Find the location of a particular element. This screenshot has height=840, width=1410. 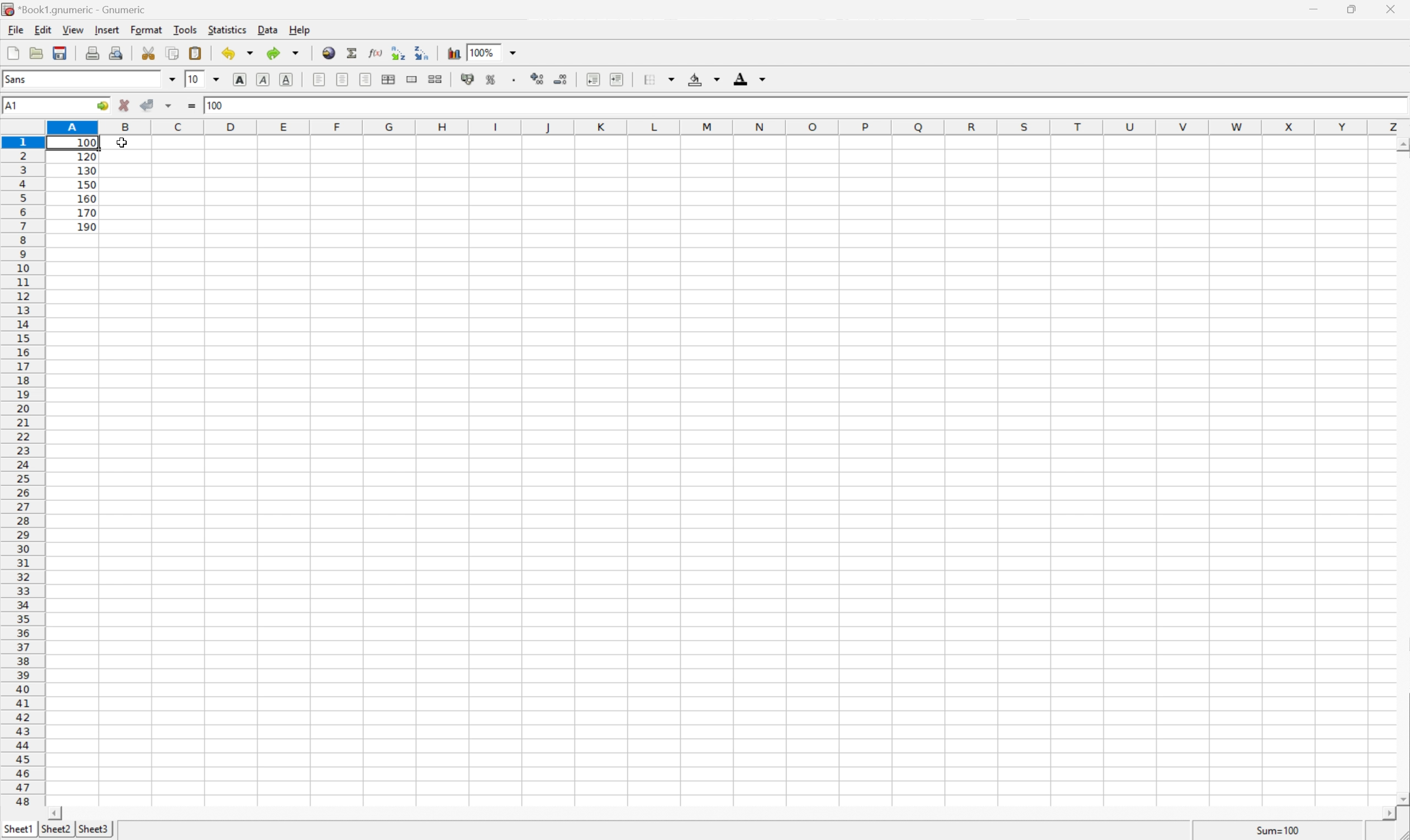

Column names is located at coordinates (725, 127).